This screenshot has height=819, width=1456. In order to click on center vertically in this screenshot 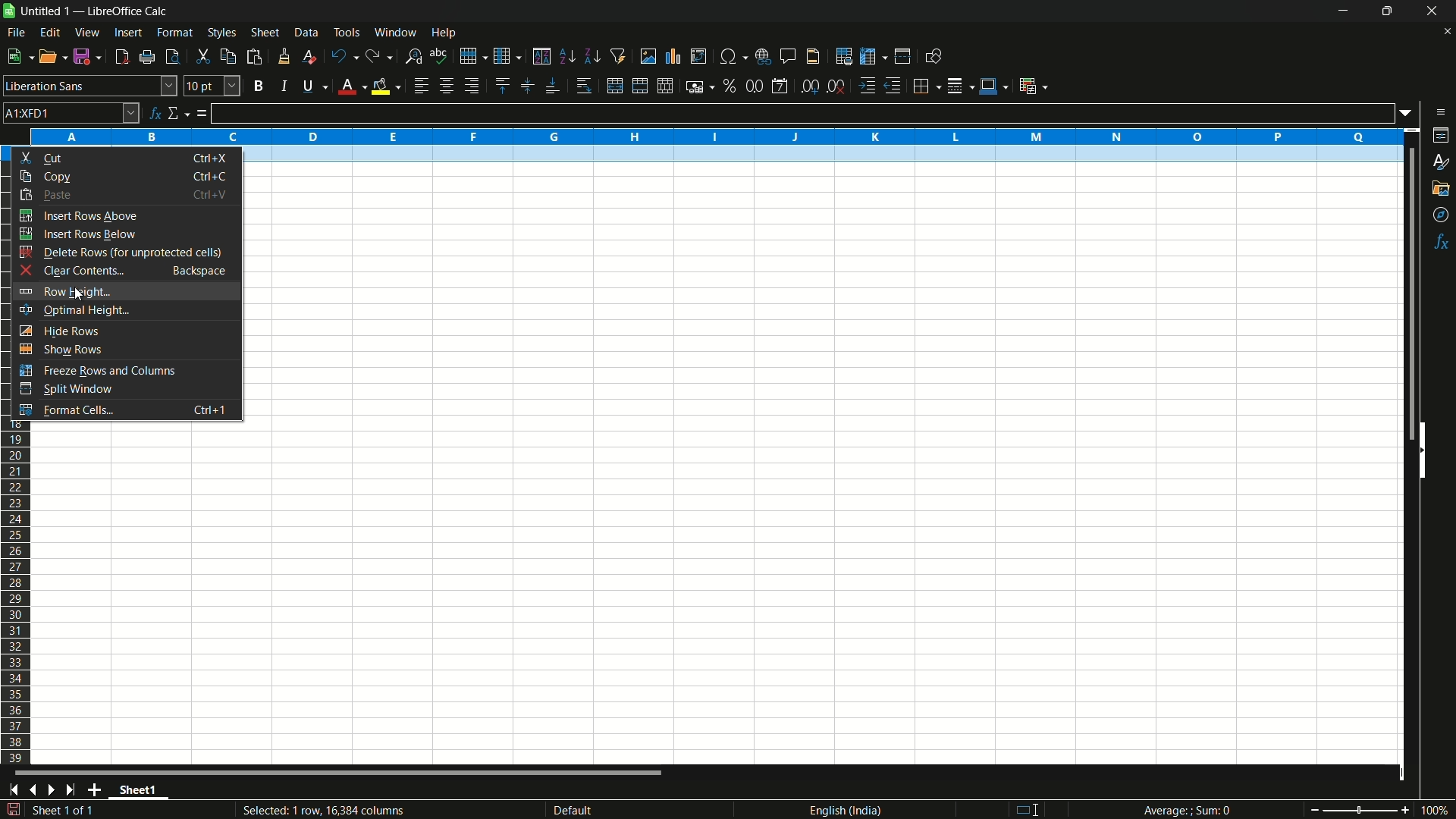, I will do `click(526, 86)`.